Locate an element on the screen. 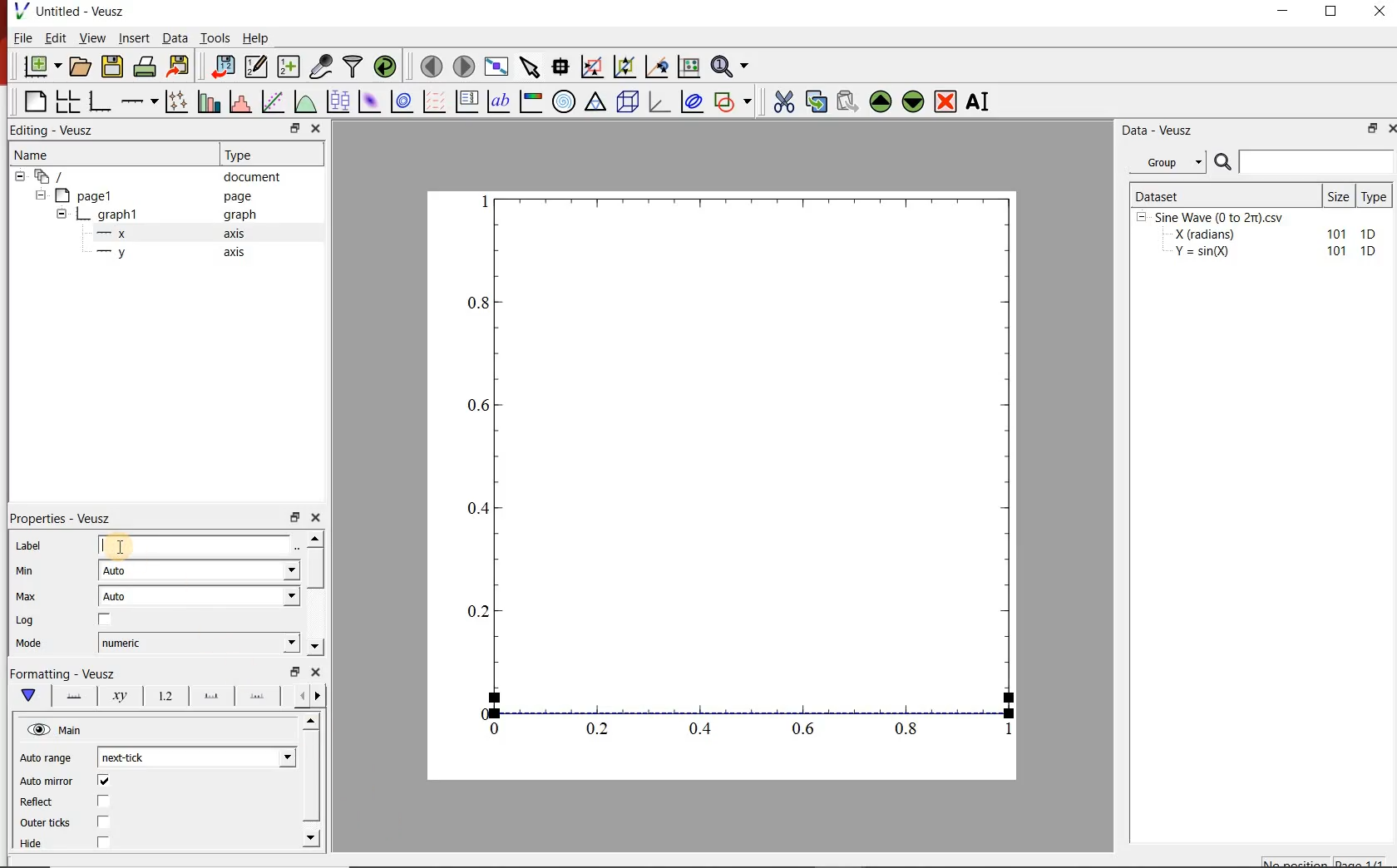  Group is located at coordinates (1172, 162).